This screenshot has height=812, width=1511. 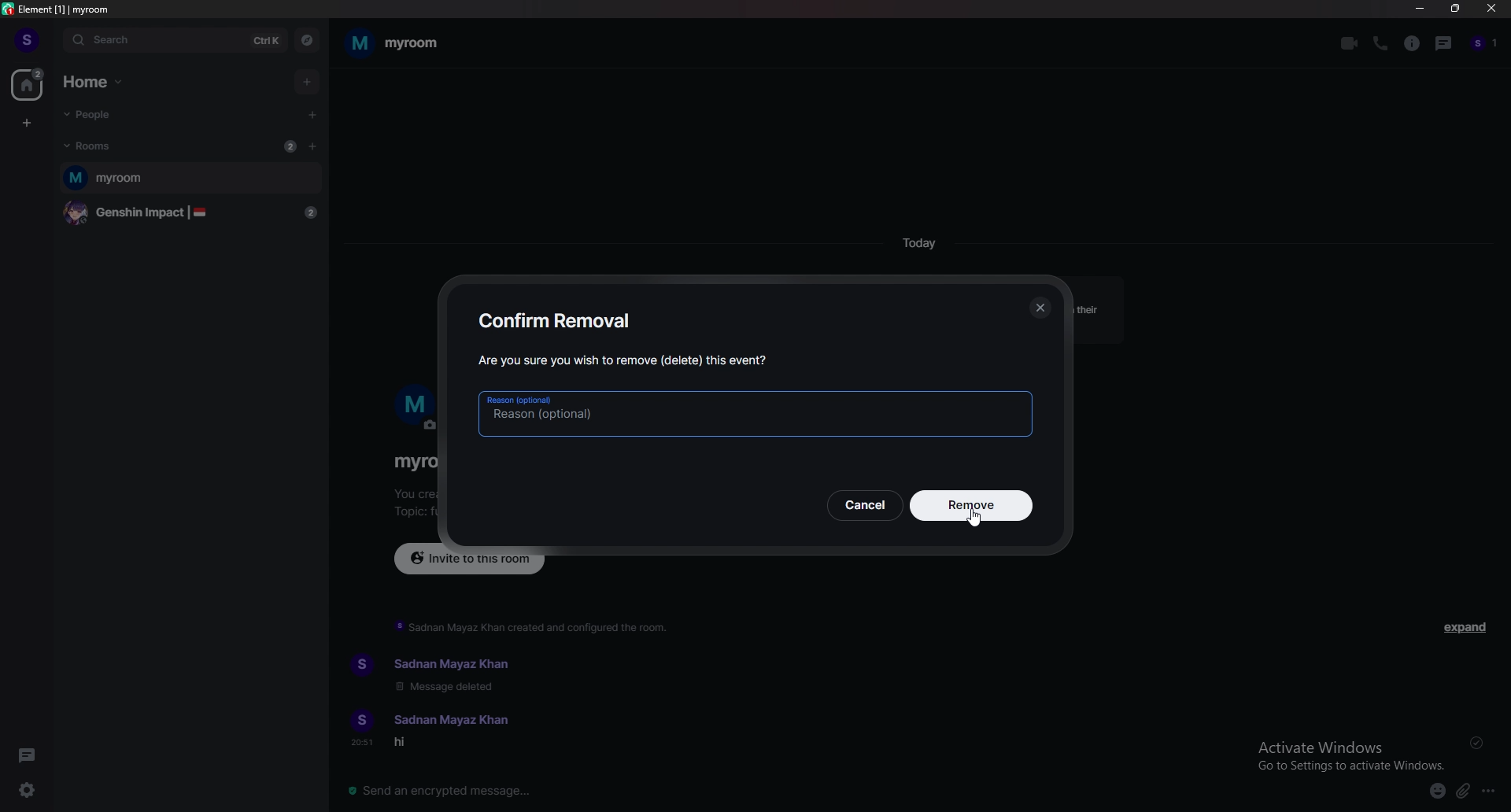 I want to click on genshin impact |, so click(x=194, y=213).